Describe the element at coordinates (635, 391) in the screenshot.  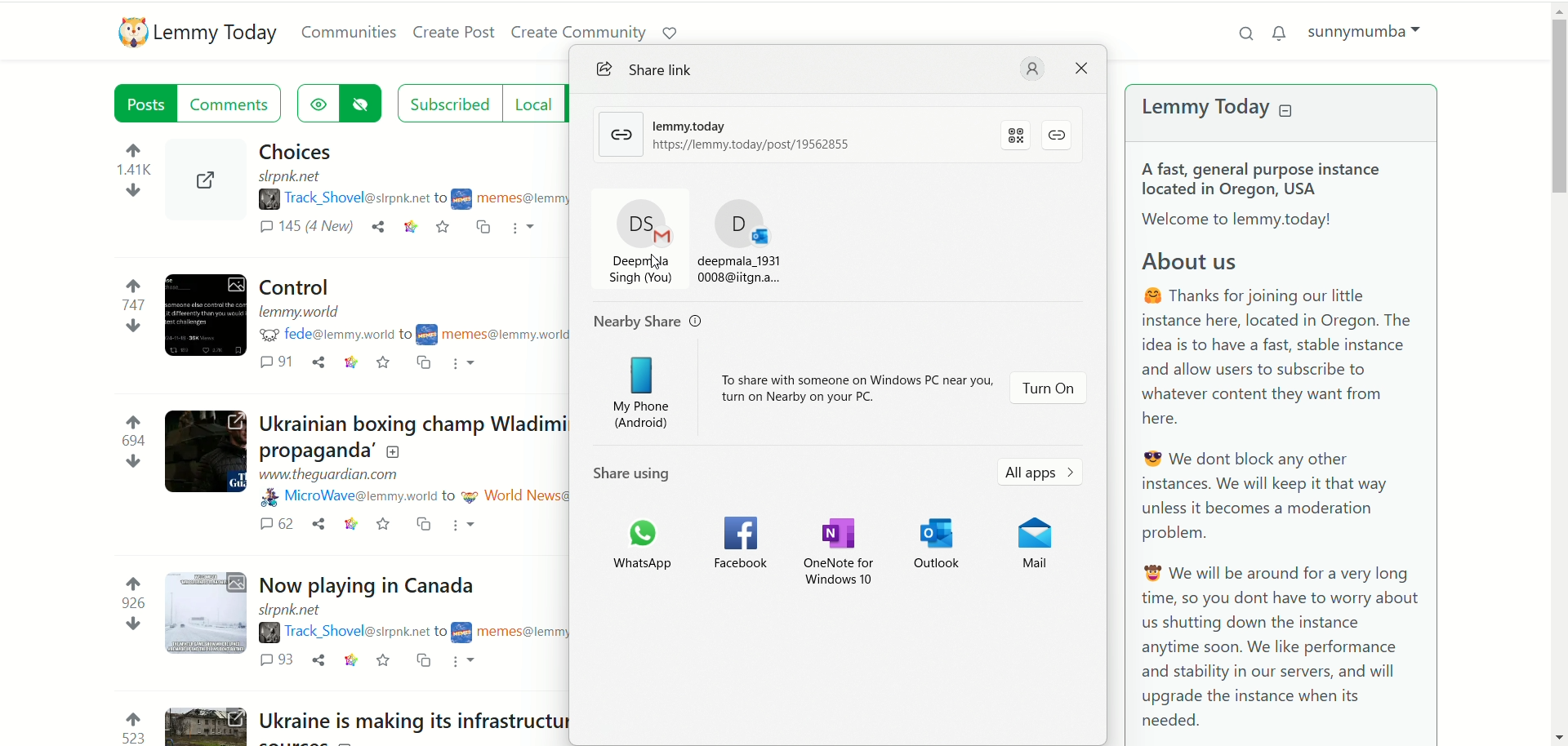
I see `my phone` at that location.